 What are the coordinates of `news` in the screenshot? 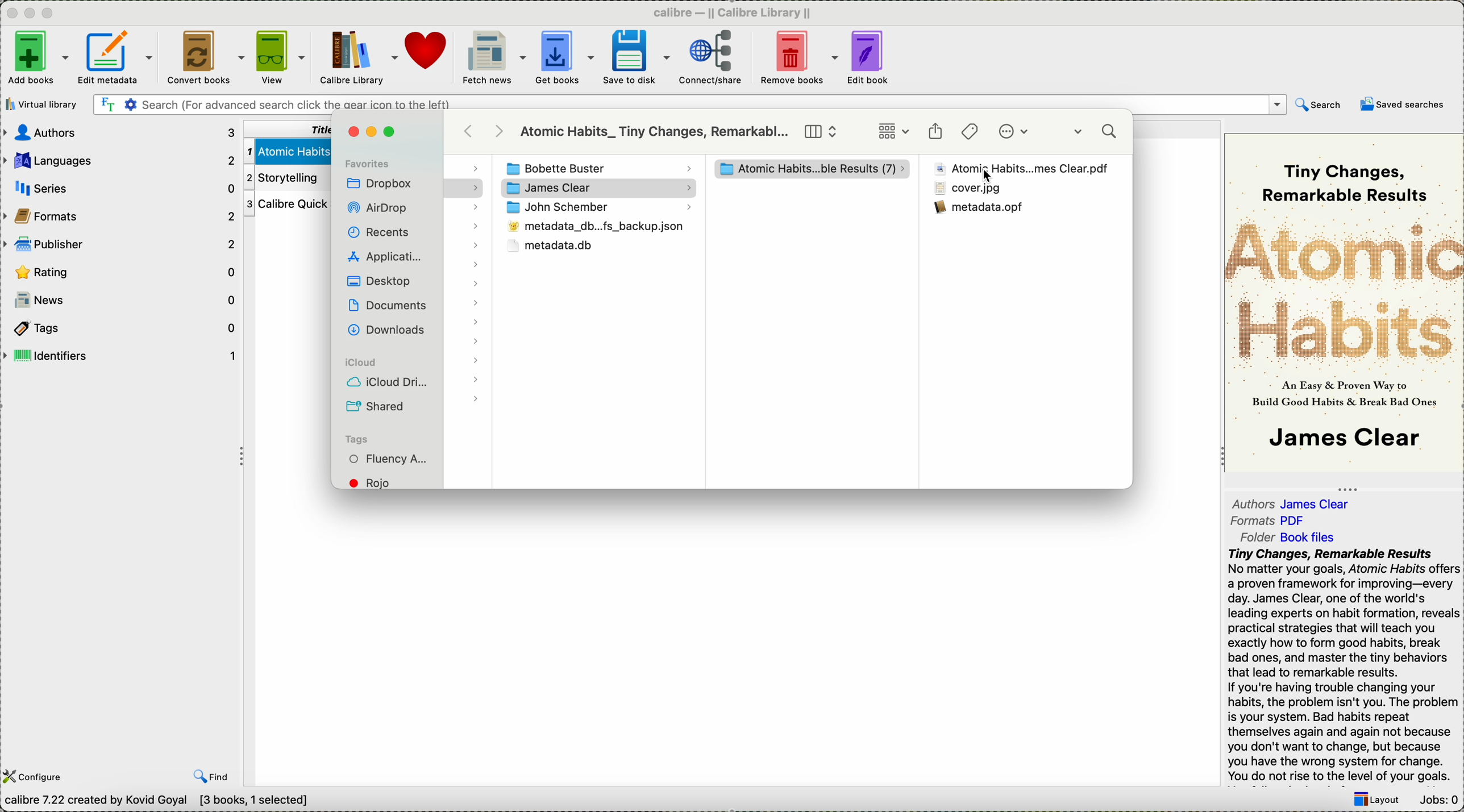 It's located at (121, 300).